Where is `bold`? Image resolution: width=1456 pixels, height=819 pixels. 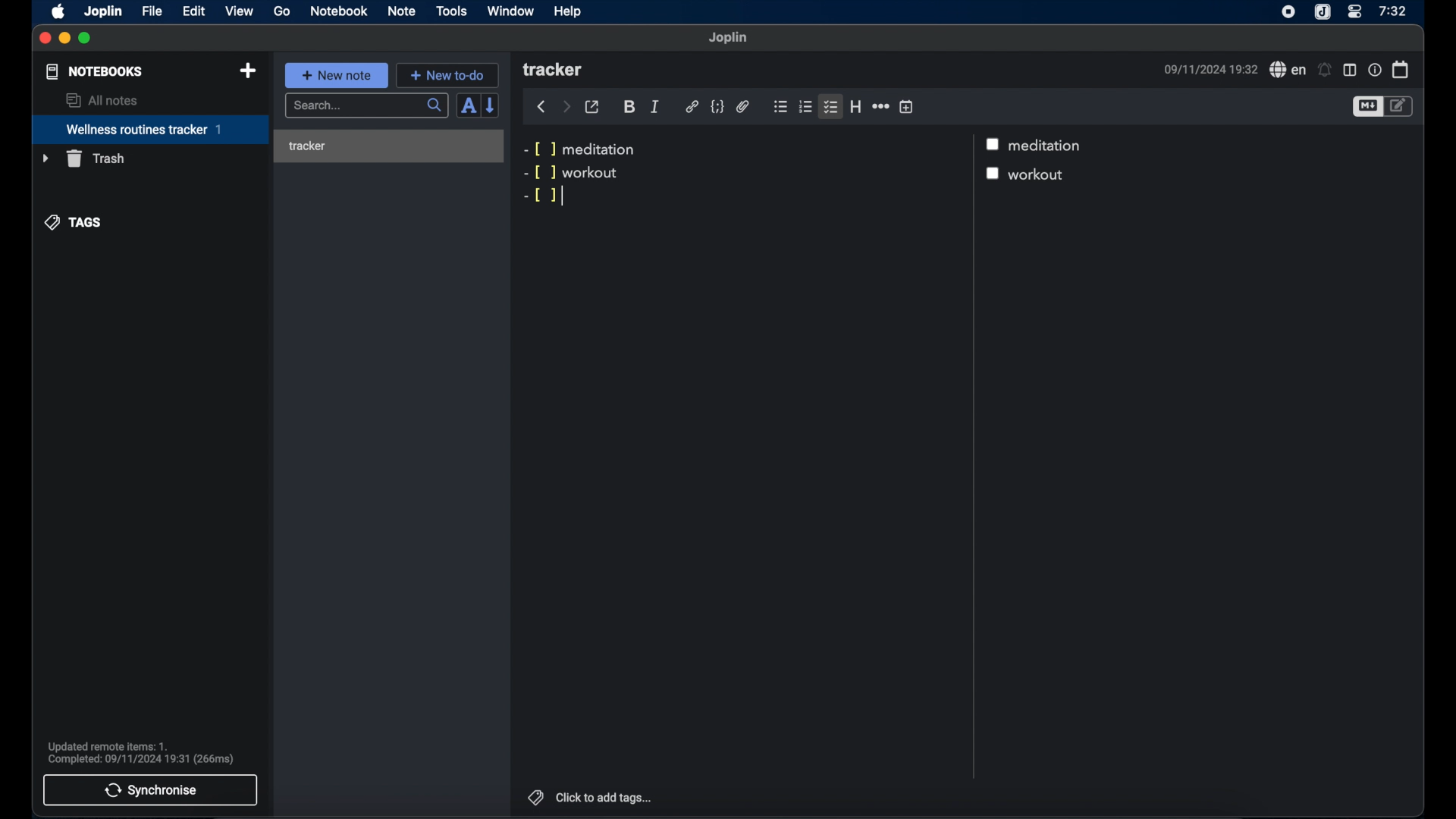
bold is located at coordinates (629, 108).